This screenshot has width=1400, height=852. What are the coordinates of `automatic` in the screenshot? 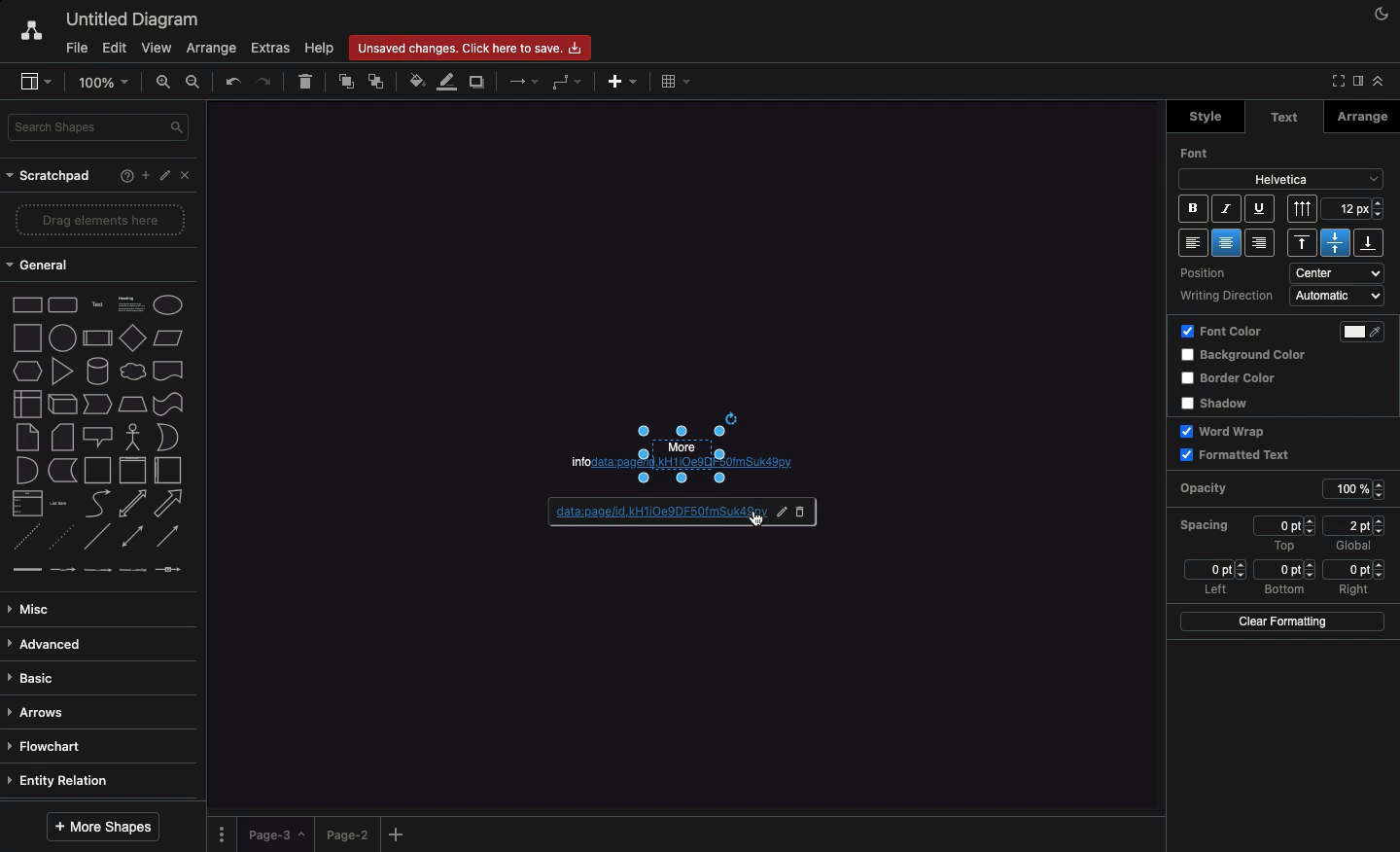 It's located at (1339, 296).